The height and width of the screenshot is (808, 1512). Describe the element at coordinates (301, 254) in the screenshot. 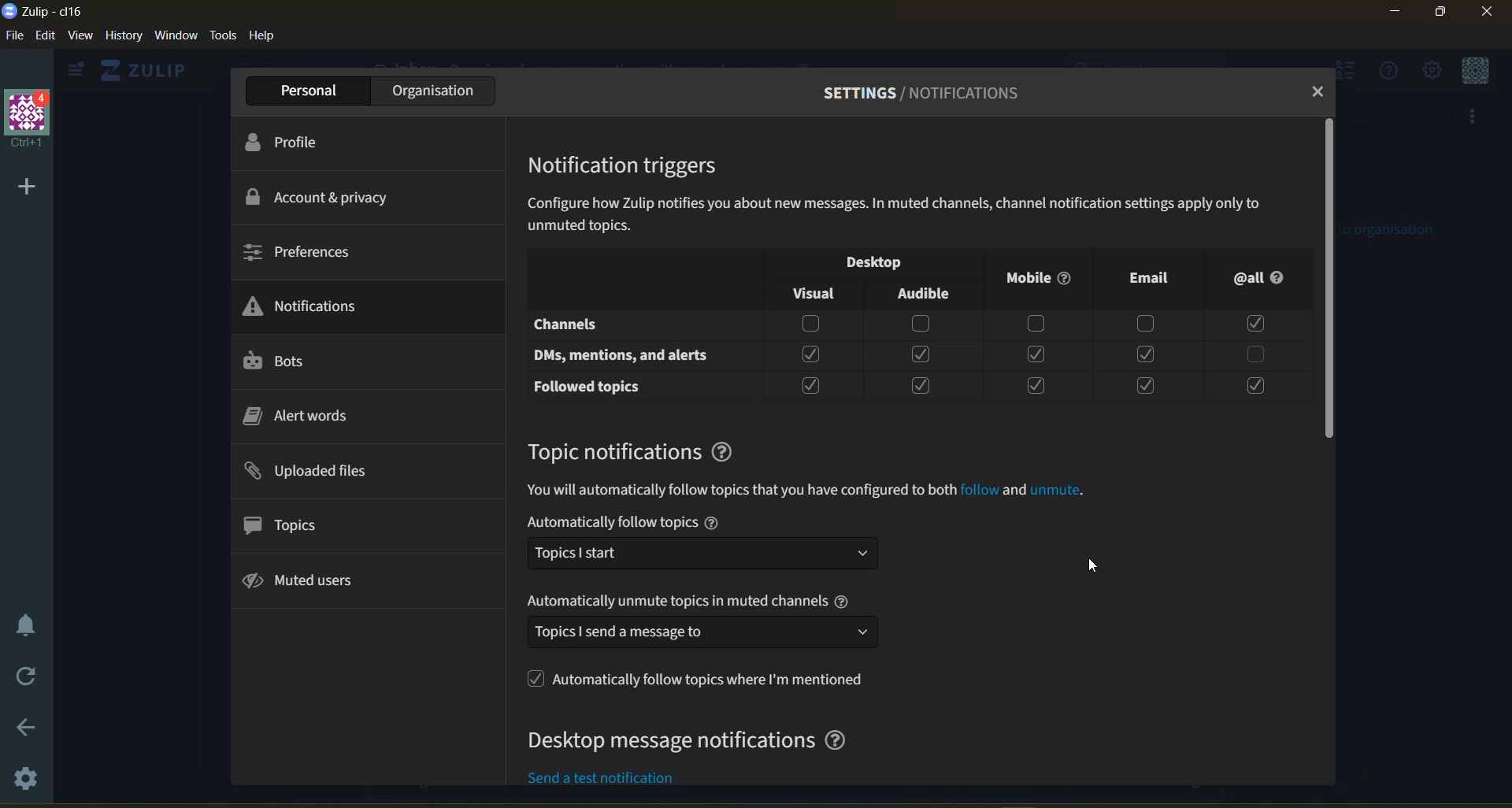

I see `preferences` at that location.